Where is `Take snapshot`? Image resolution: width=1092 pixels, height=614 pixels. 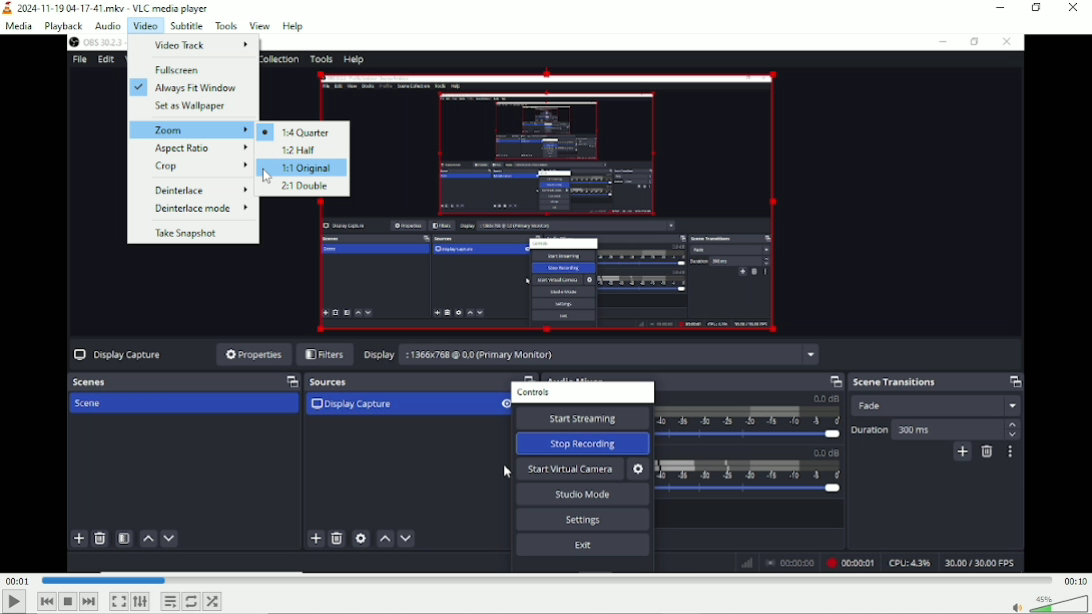
Take snapshot is located at coordinates (187, 234).